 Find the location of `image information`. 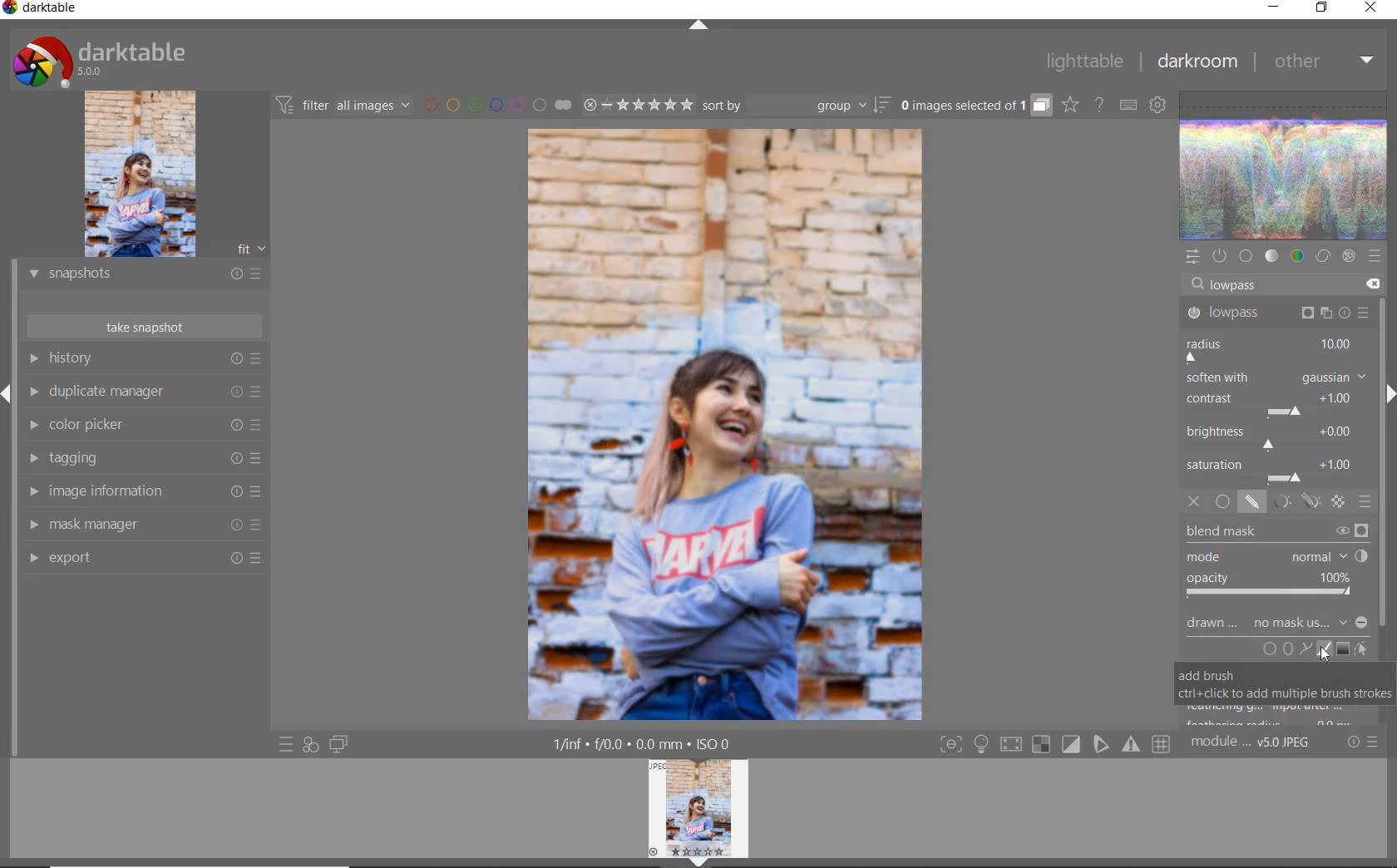

image information is located at coordinates (142, 494).